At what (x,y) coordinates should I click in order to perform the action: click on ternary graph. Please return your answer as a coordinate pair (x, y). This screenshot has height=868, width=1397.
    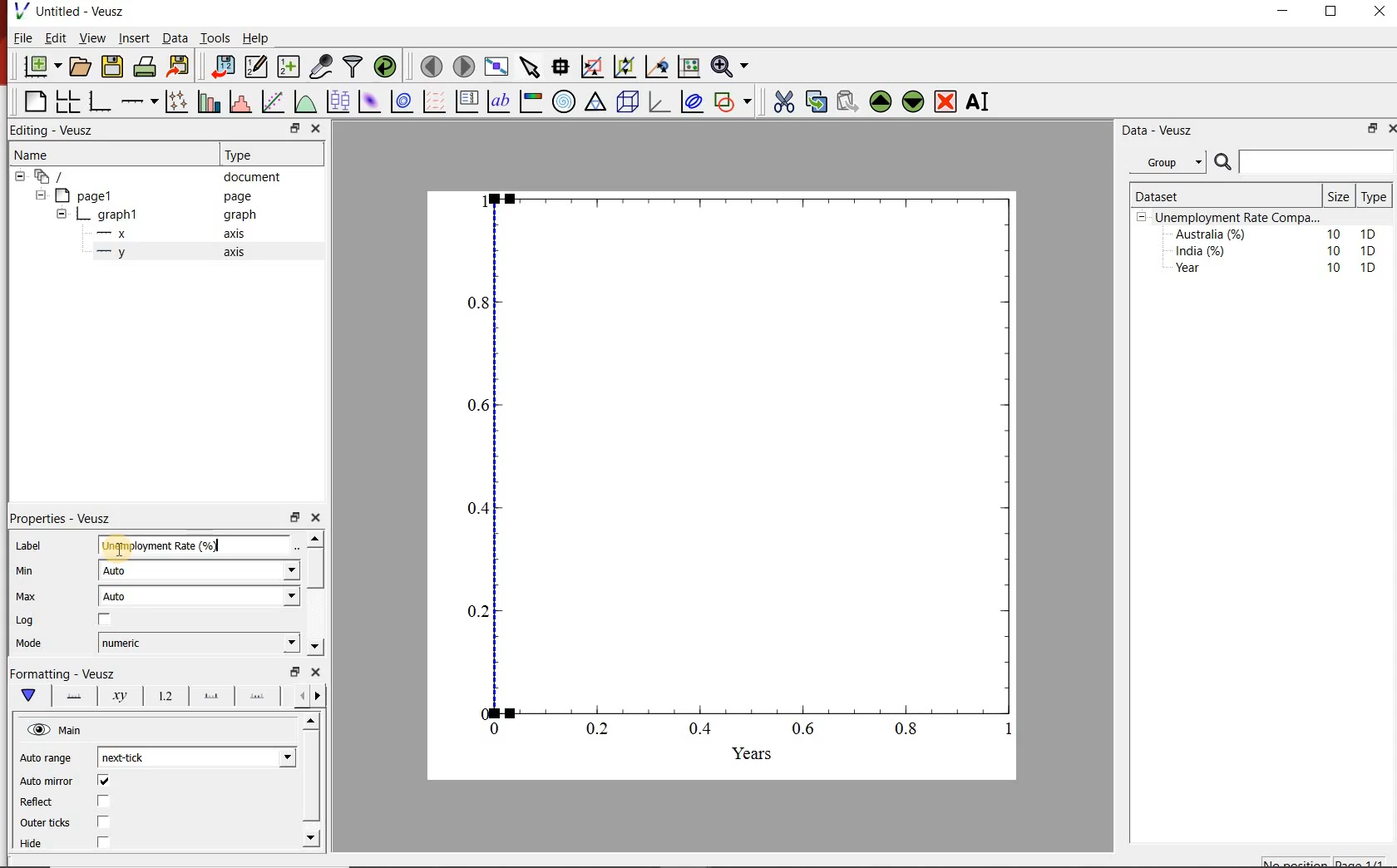
    Looking at the image, I should click on (595, 101).